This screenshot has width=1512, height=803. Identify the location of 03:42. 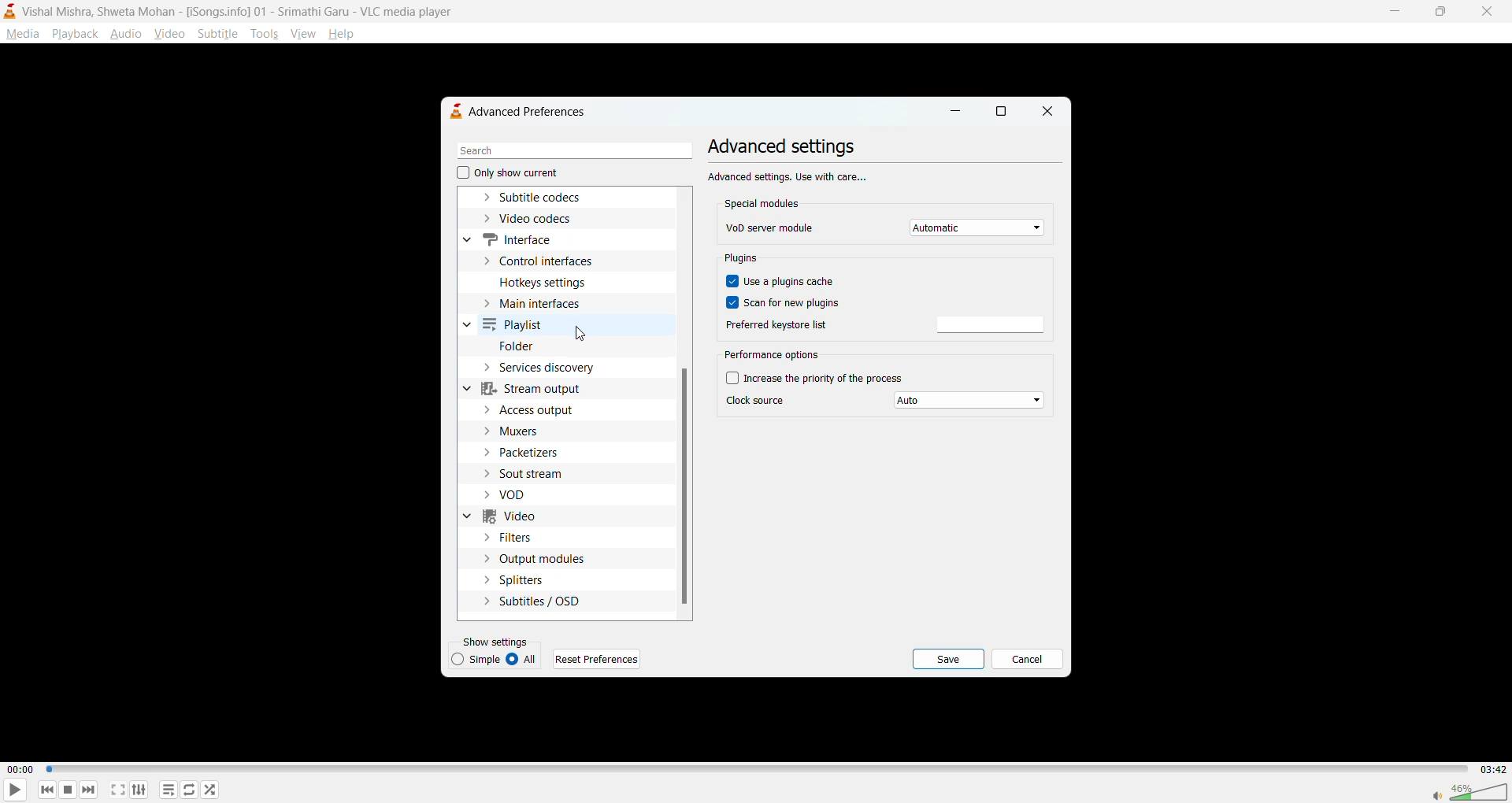
(1490, 769).